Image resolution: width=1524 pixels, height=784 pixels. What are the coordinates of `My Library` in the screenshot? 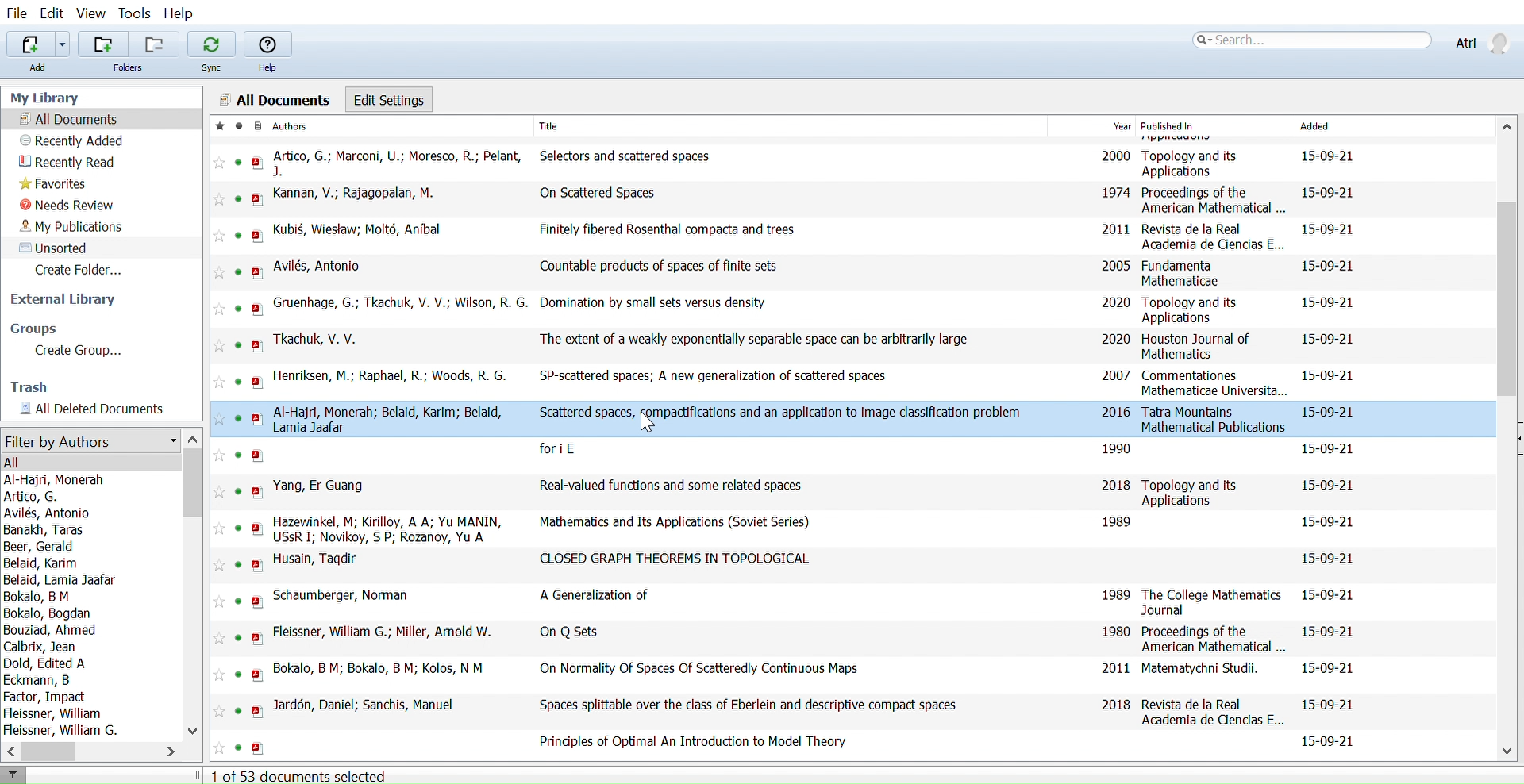 It's located at (48, 98).